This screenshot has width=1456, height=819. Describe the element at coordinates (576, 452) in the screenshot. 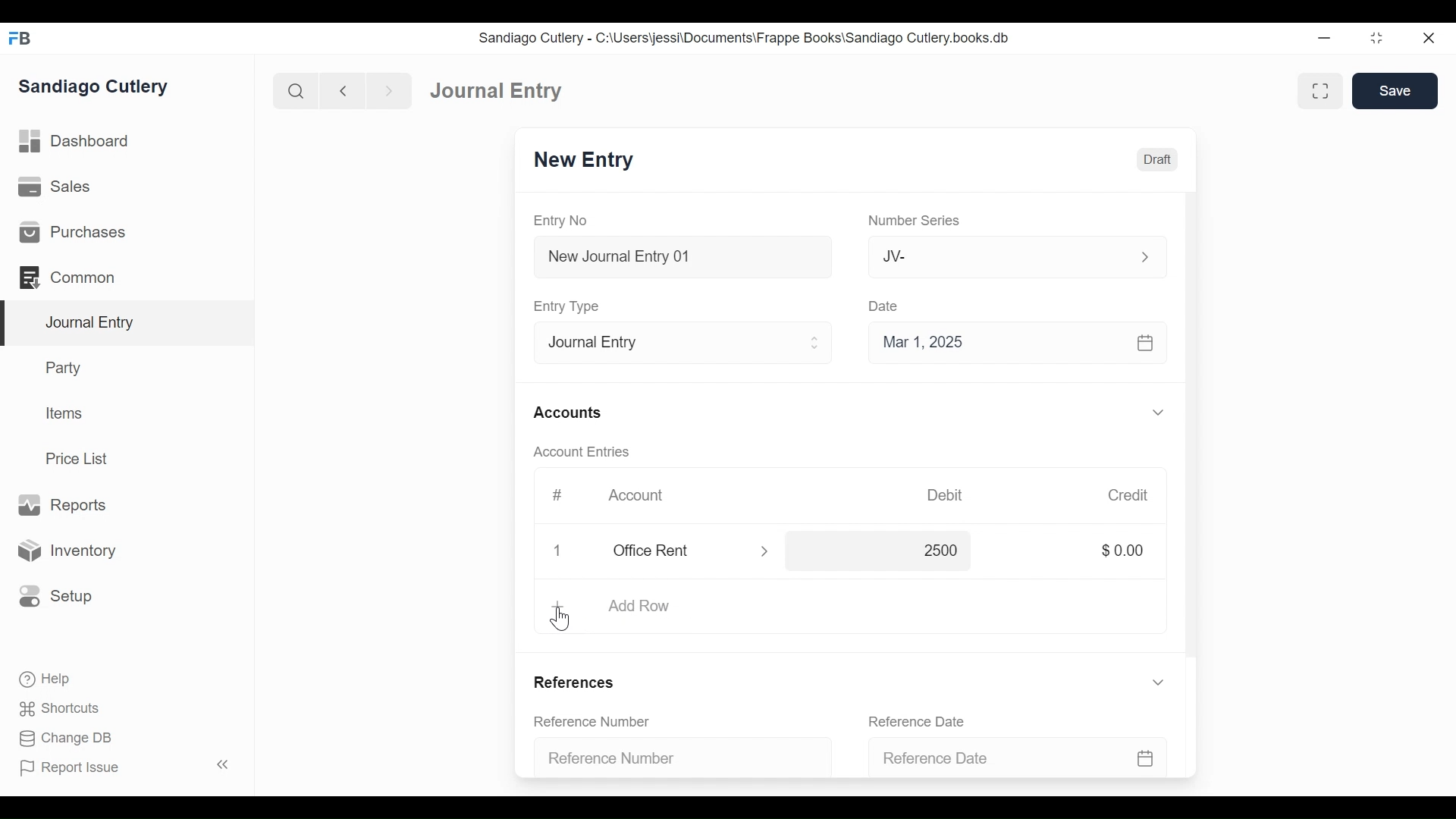

I see `Account Entries` at that location.